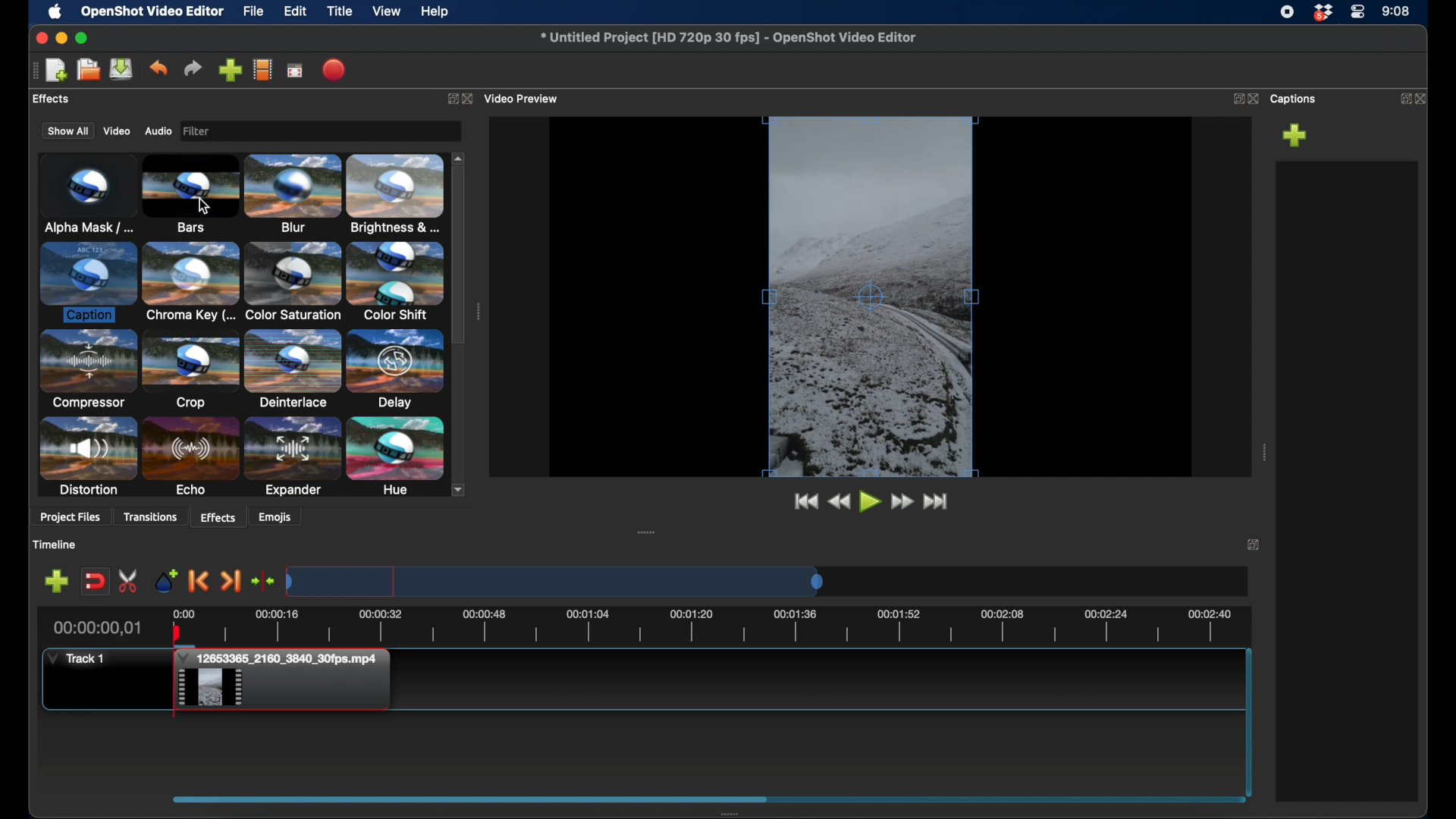 This screenshot has height=819, width=1456. I want to click on add marker, so click(168, 581).